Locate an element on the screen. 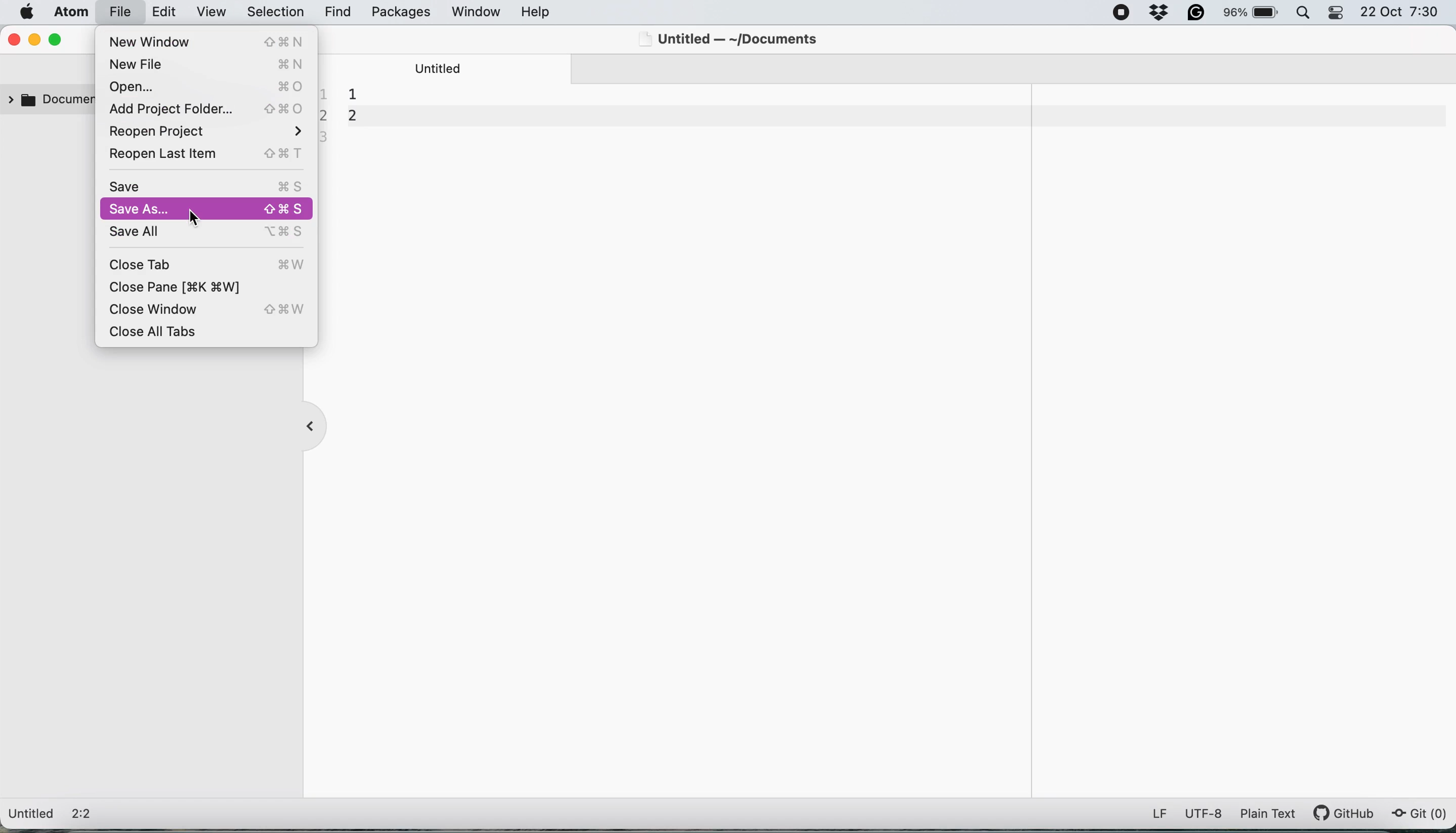 The width and height of the screenshot is (1456, 833). Save All is located at coordinates (208, 232).